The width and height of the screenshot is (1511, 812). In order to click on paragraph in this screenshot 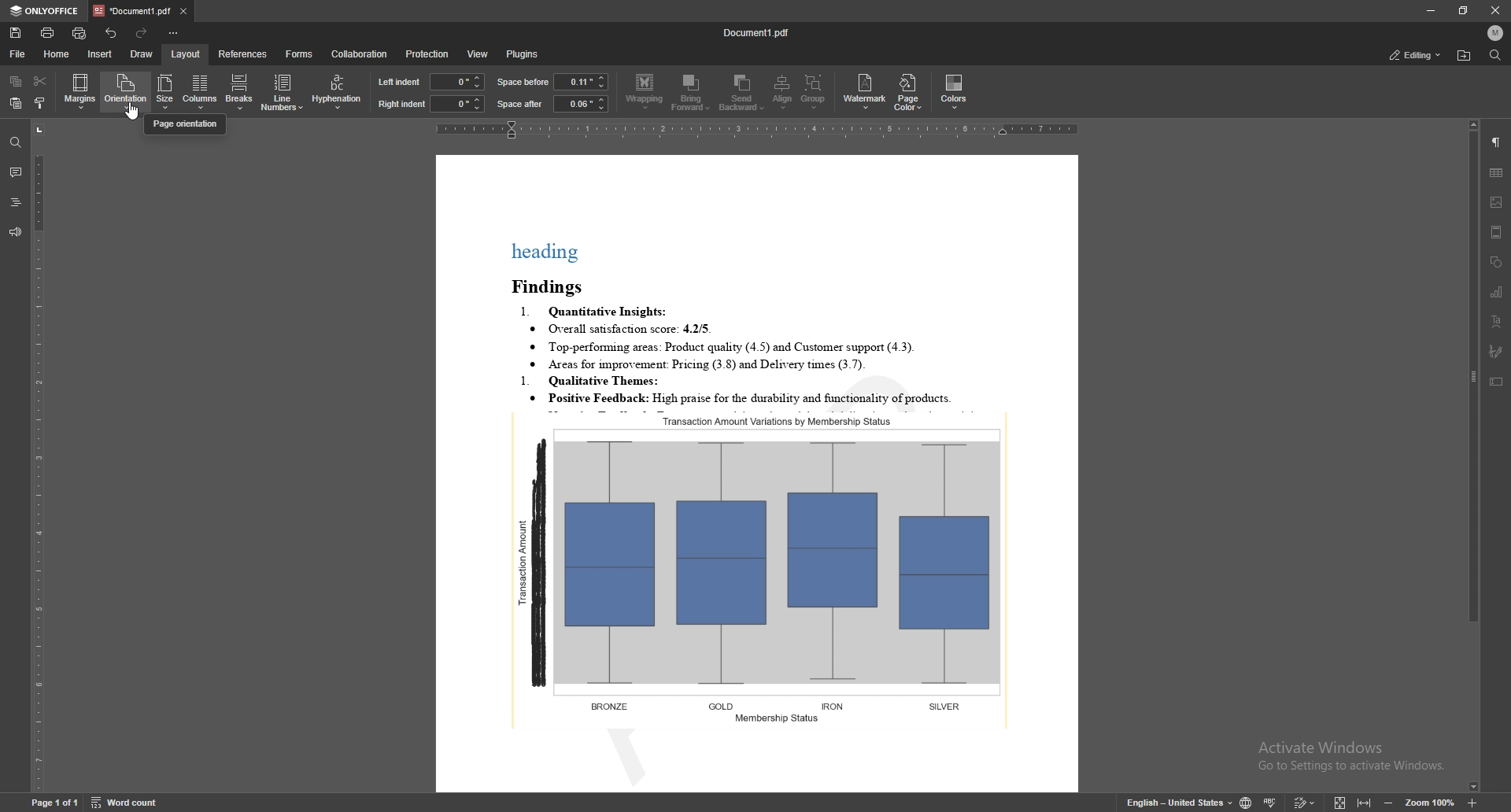, I will do `click(1497, 142)`.